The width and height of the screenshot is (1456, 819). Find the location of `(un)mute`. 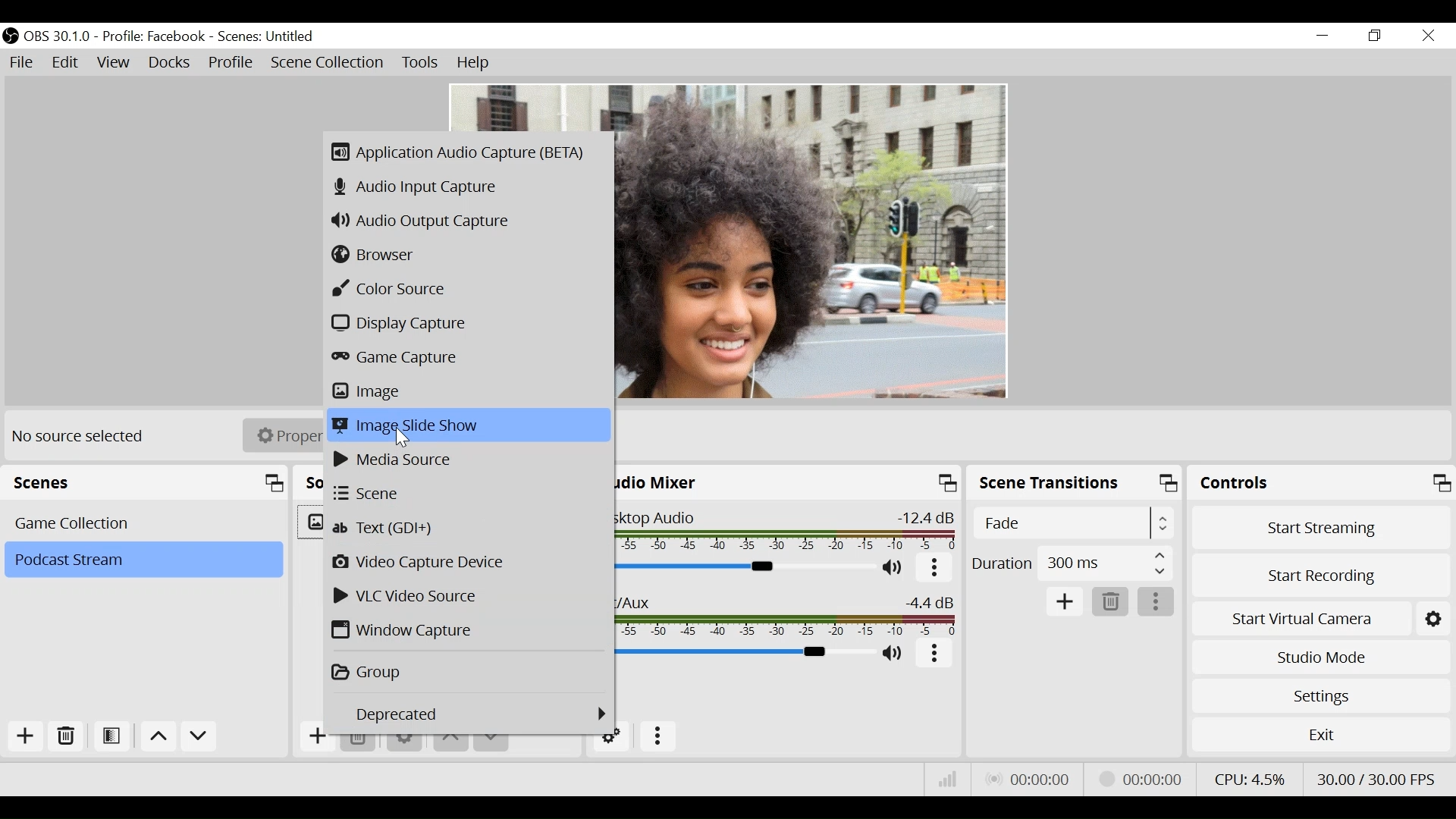

(un)mute is located at coordinates (894, 567).